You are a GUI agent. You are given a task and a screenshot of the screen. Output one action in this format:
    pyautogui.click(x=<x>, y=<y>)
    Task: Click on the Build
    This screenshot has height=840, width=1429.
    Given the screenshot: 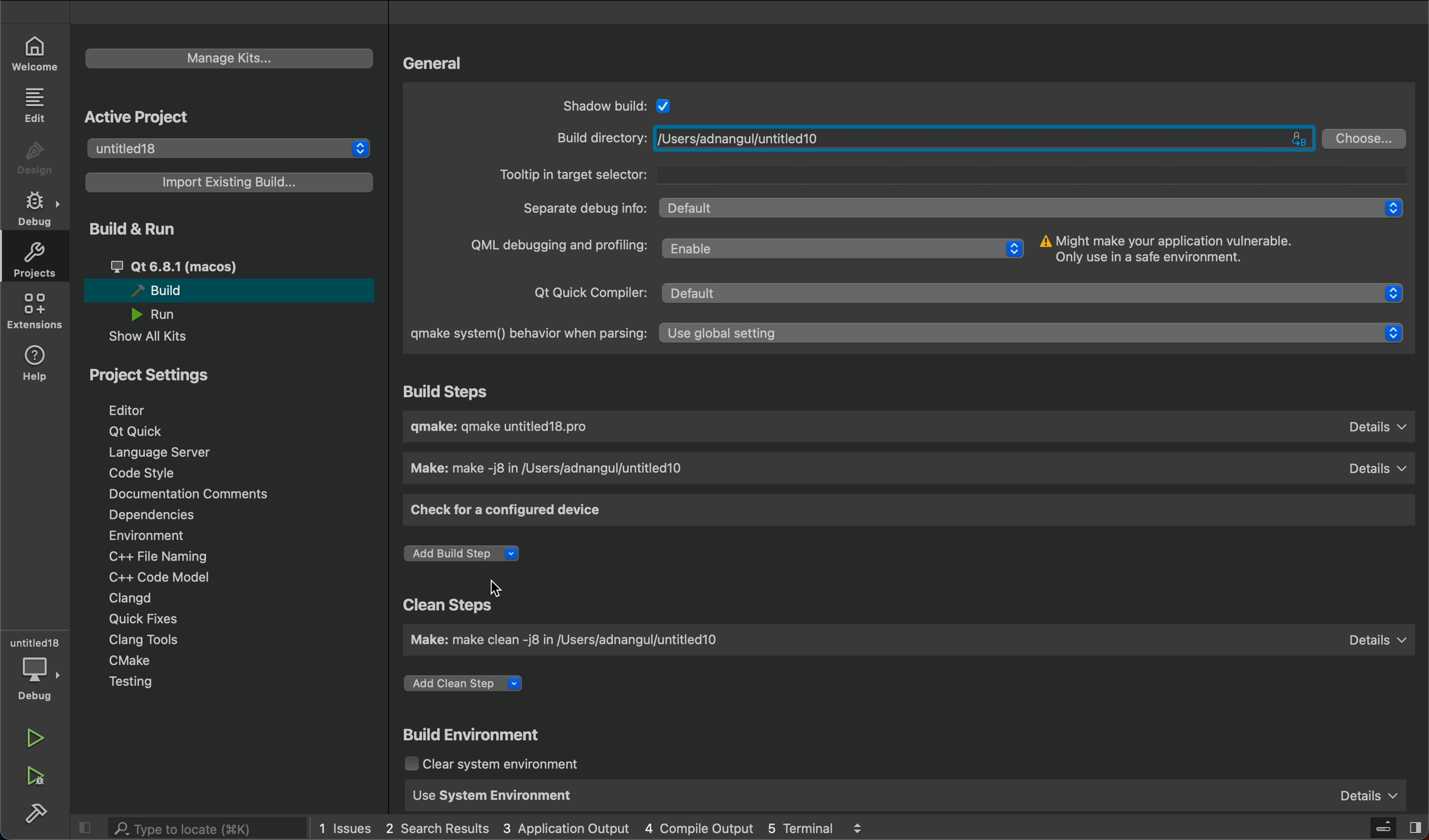 What is the action you would take?
    pyautogui.click(x=154, y=291)
    